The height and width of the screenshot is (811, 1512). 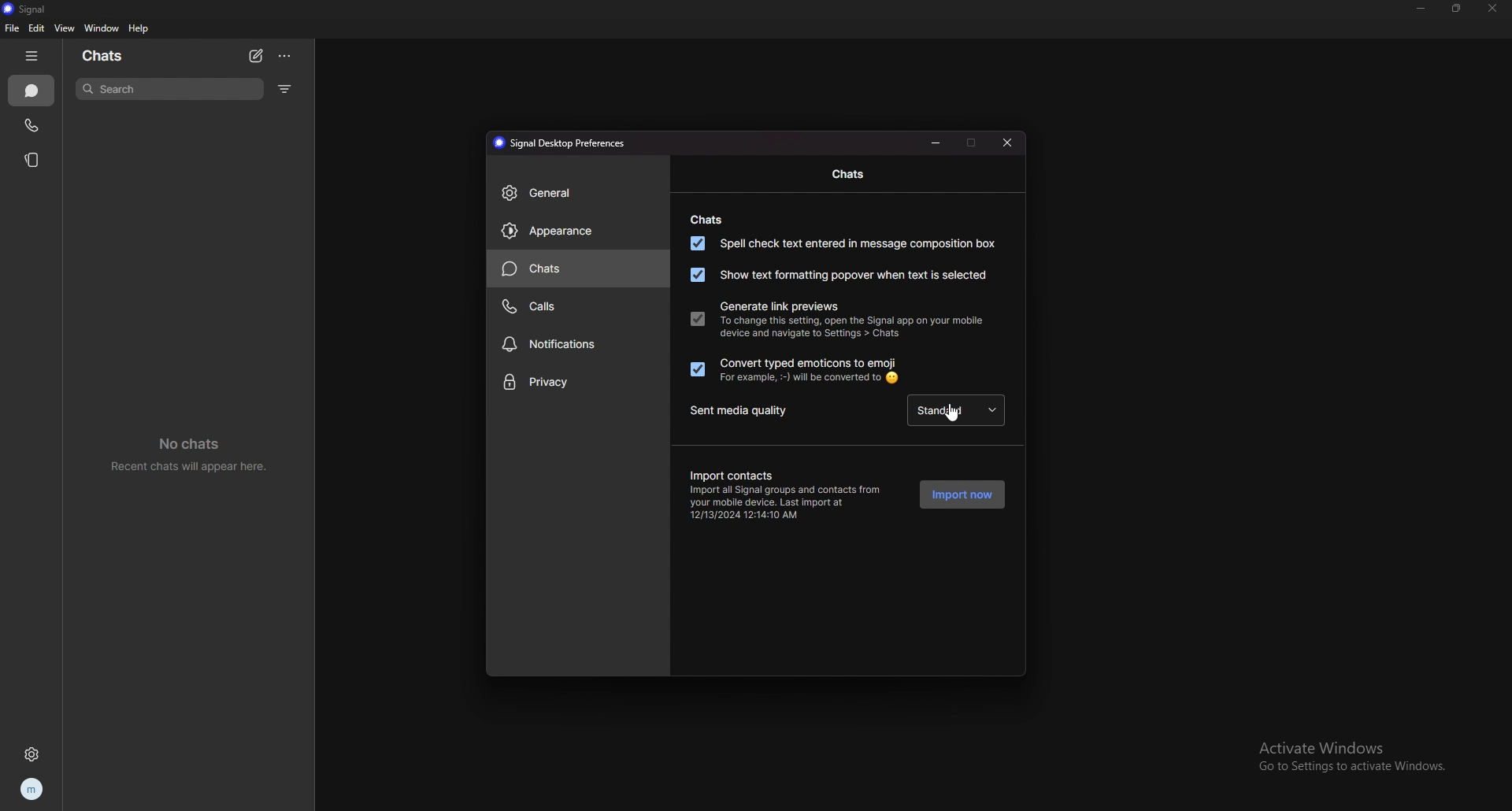 I want to click on privacy, so click(x=577, y=383).